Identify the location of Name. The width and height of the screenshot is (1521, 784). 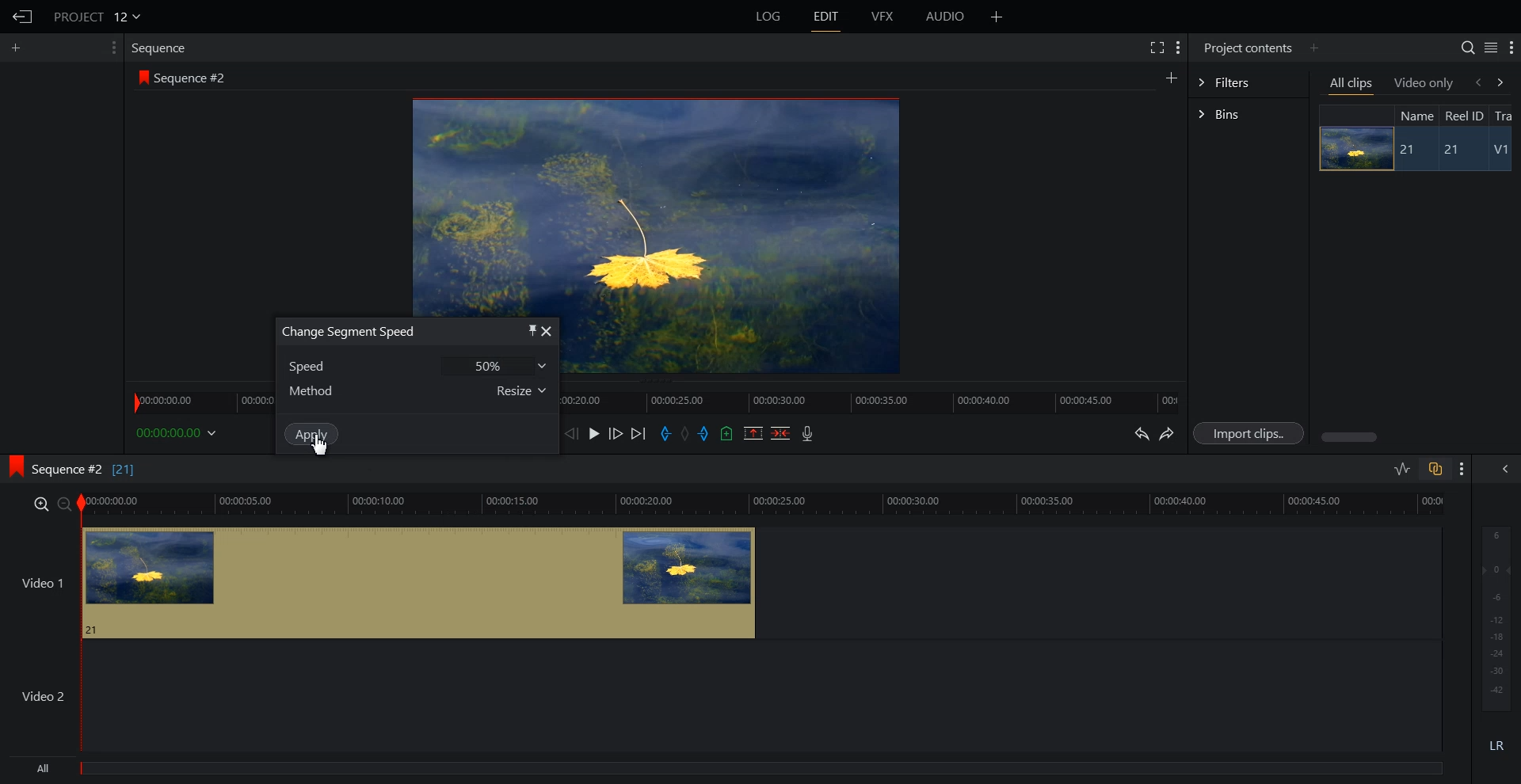
(1415, 115).